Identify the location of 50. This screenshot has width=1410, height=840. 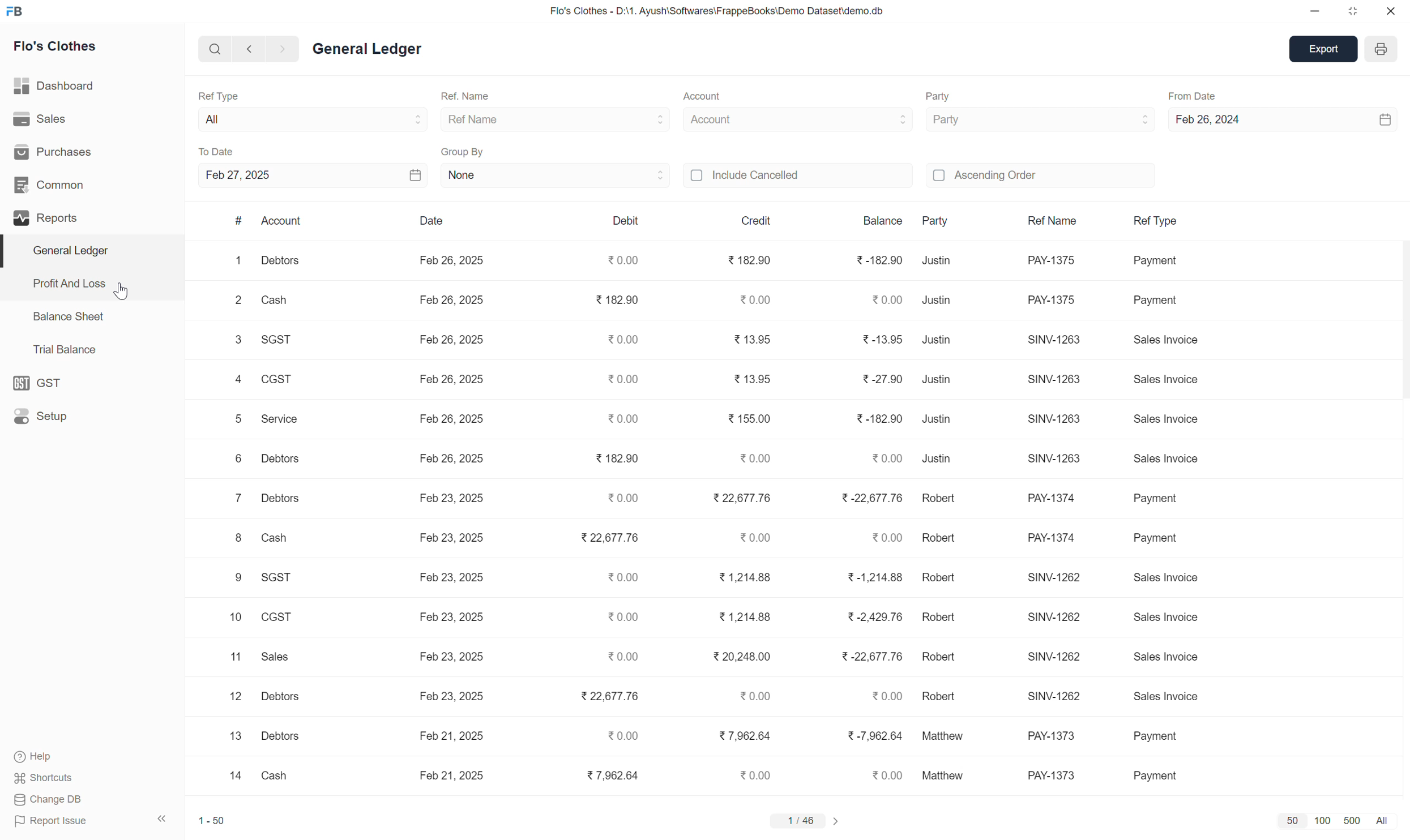
(1288, 822).